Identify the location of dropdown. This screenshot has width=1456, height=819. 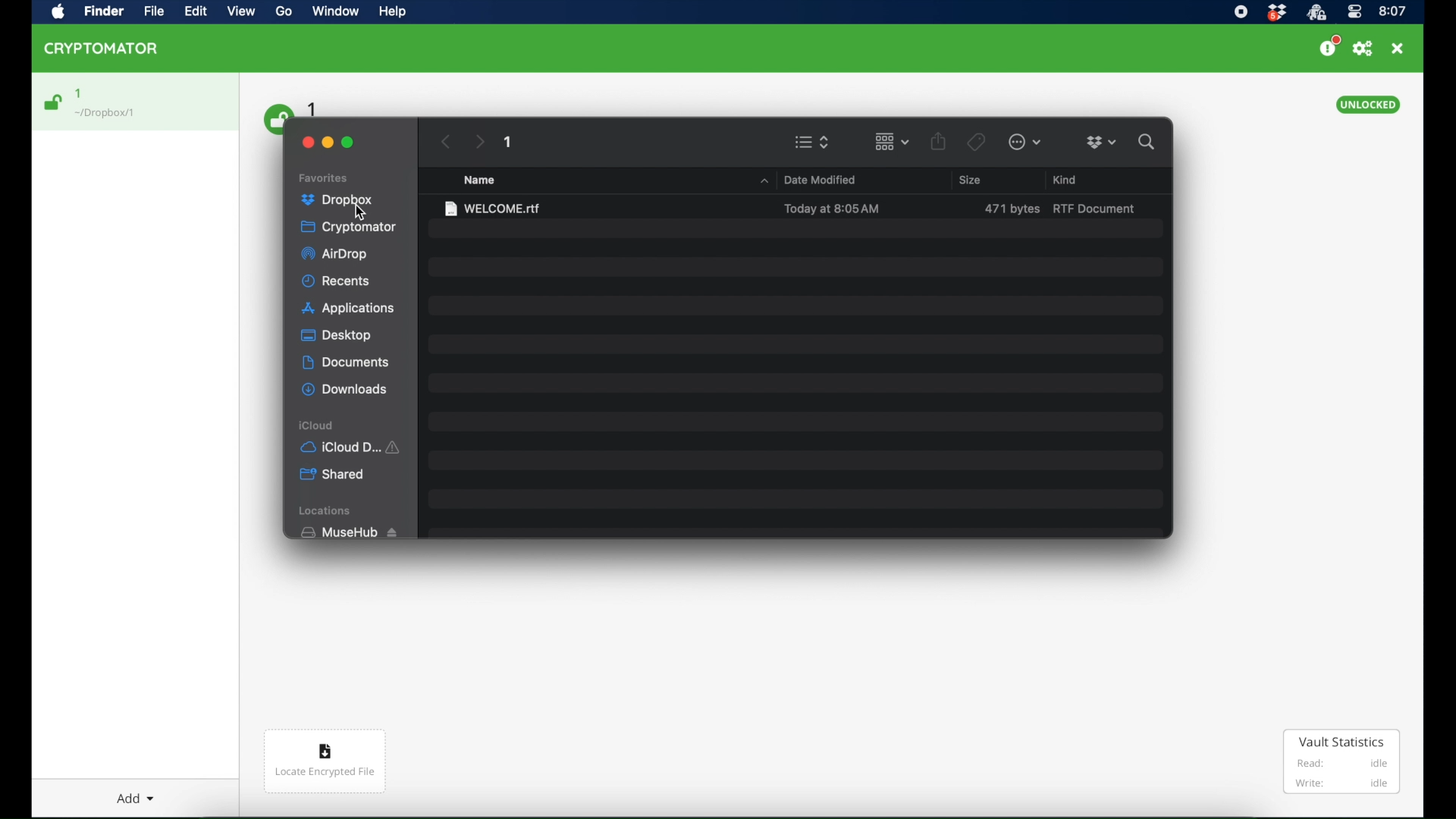
(764, 181).